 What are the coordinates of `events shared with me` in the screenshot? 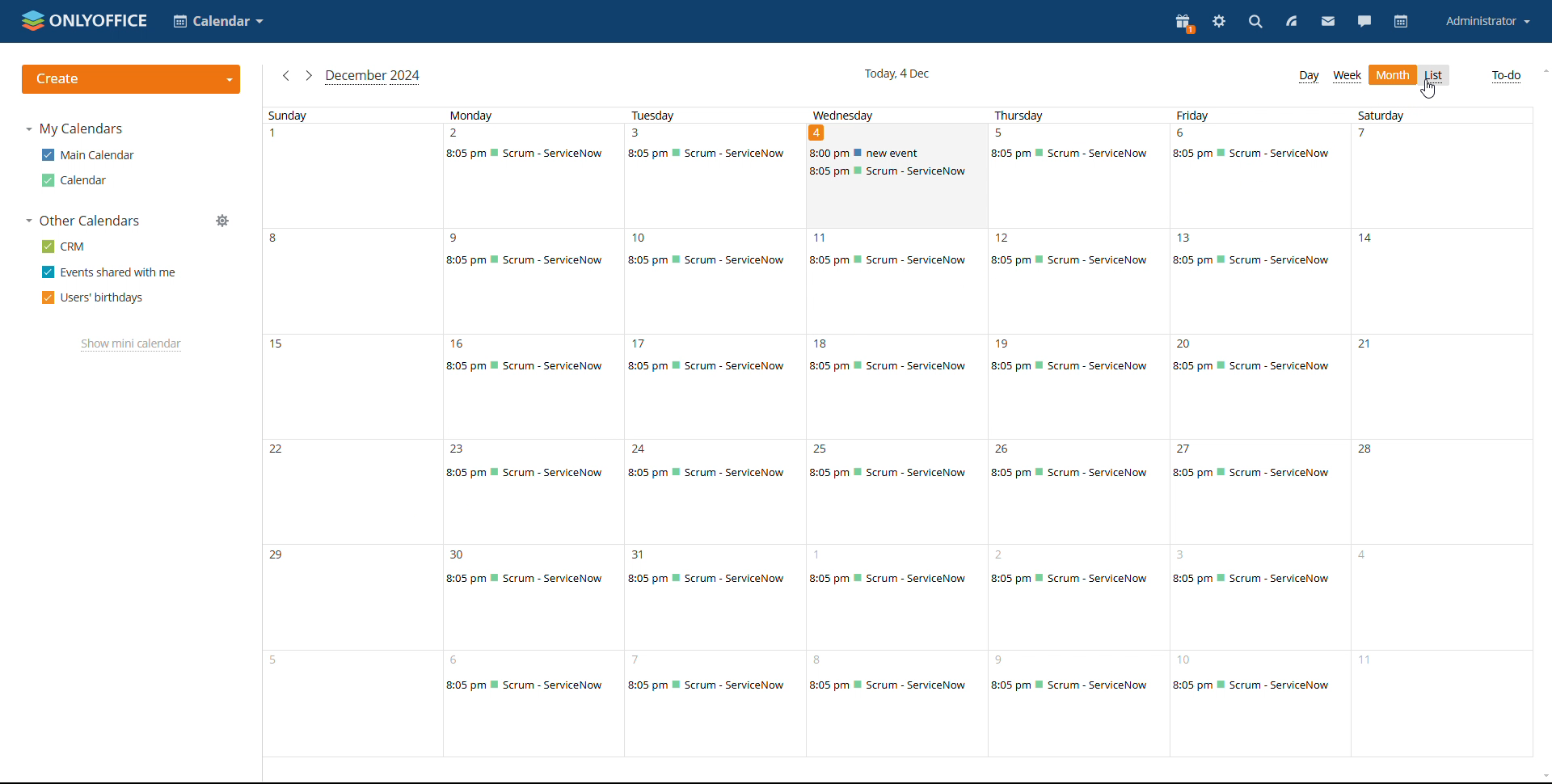 It's located at (109, 272).